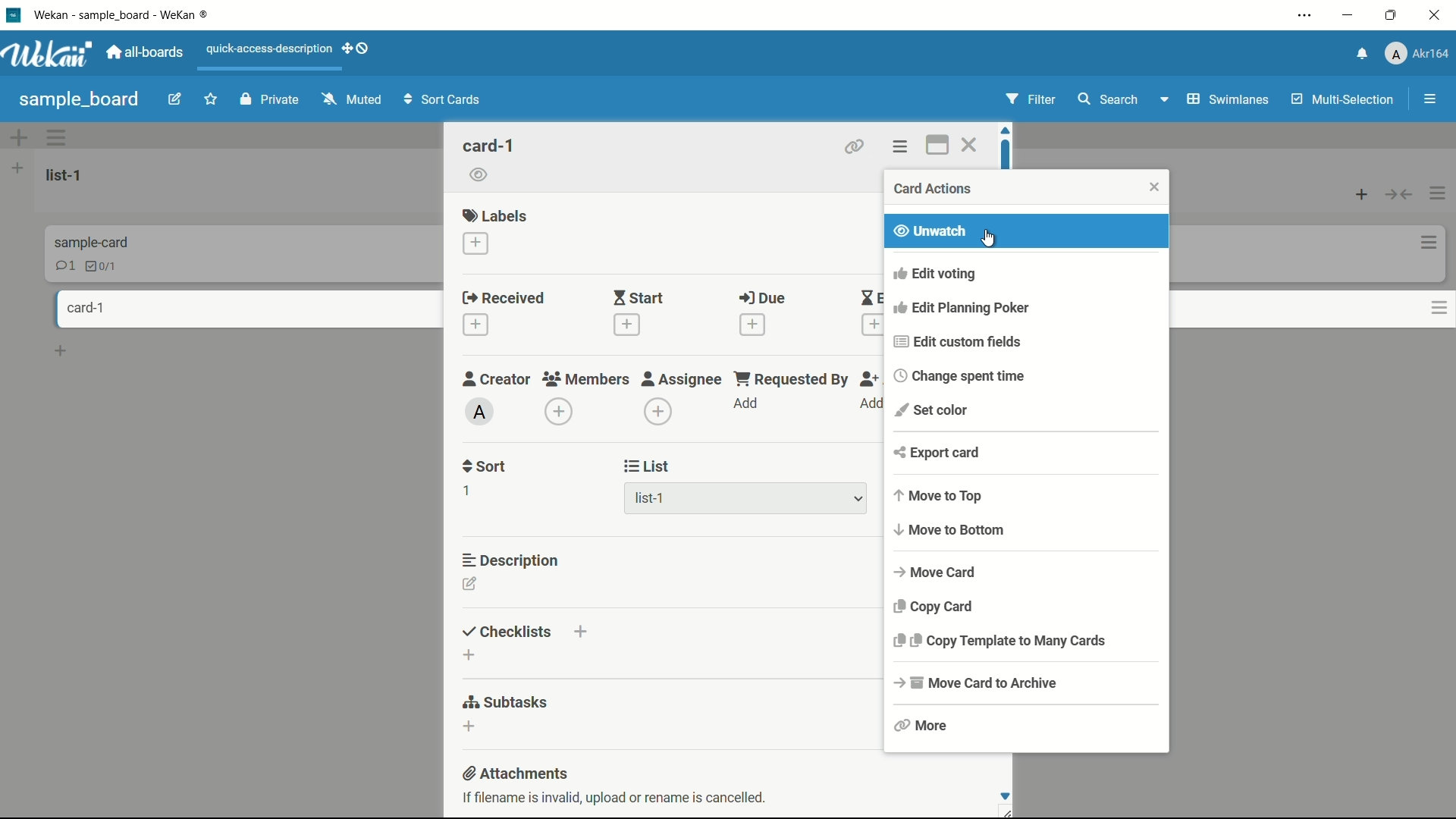  What do you see at coordinates (659, 413) in the screenshot?
I see `add assignee` at bounding box center [659, 413].